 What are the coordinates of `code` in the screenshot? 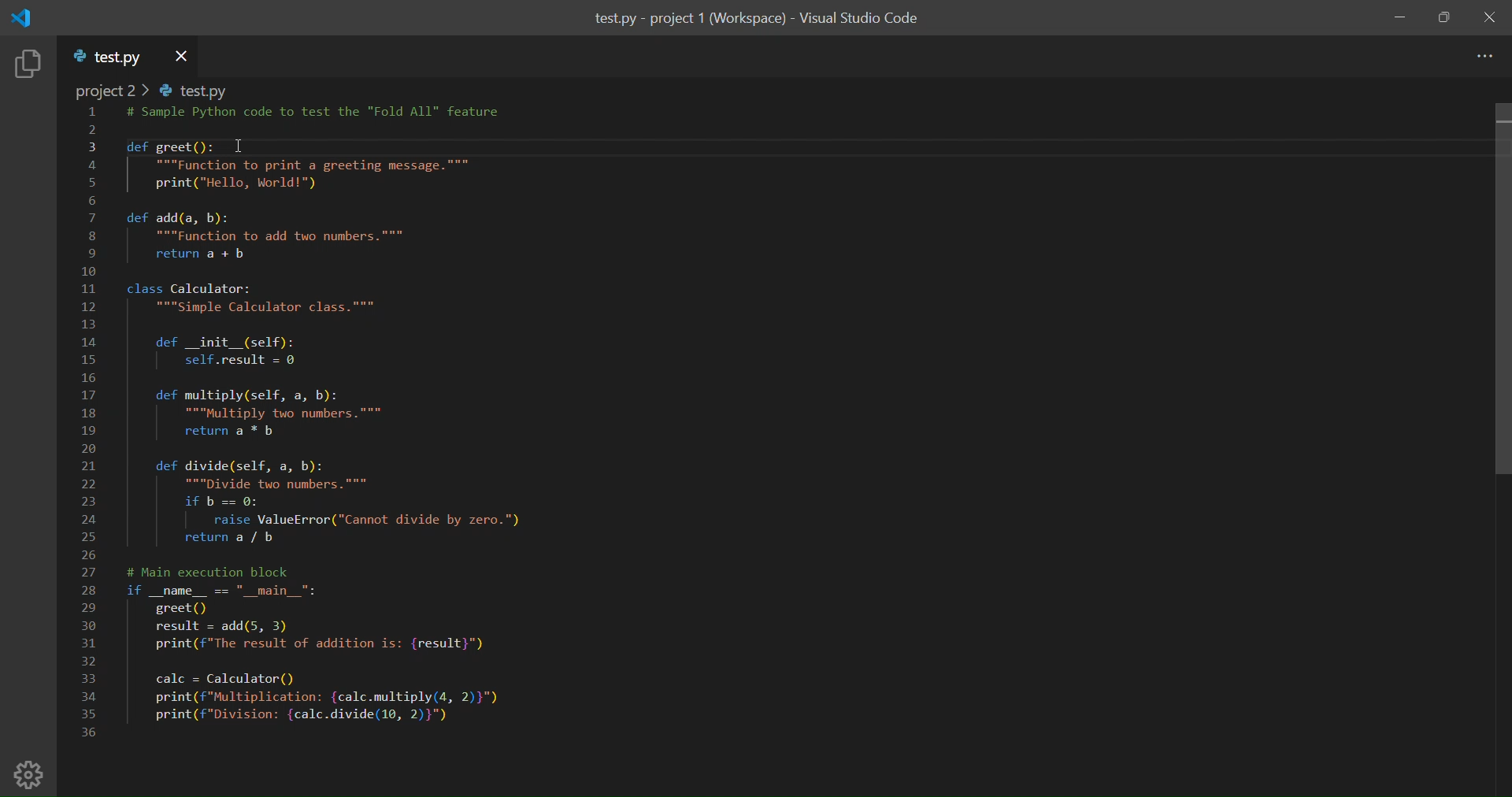 It's located at (363, 449).